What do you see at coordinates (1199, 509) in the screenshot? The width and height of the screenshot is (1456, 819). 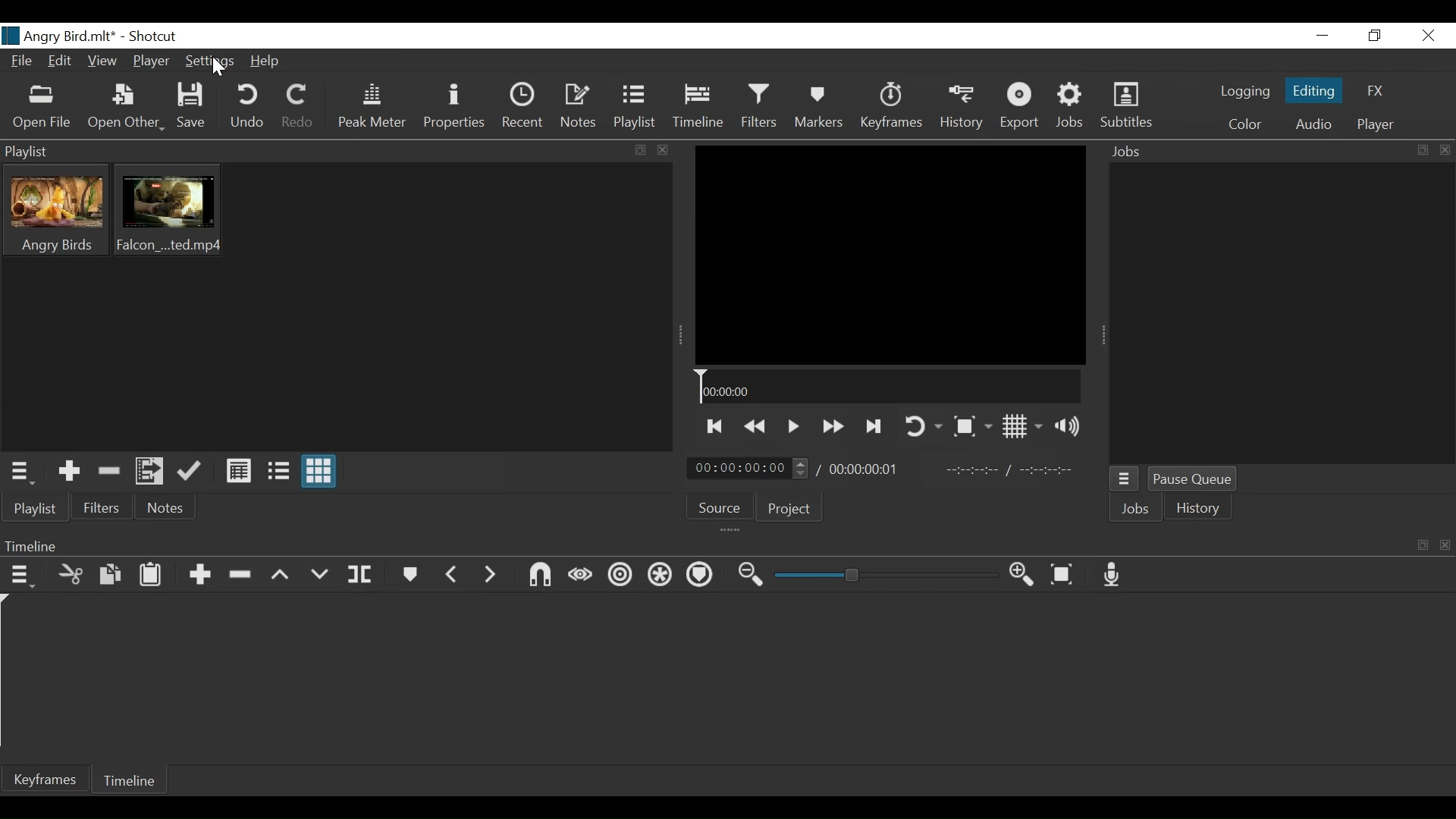 I see `History` at bounding box center [1199, 509].